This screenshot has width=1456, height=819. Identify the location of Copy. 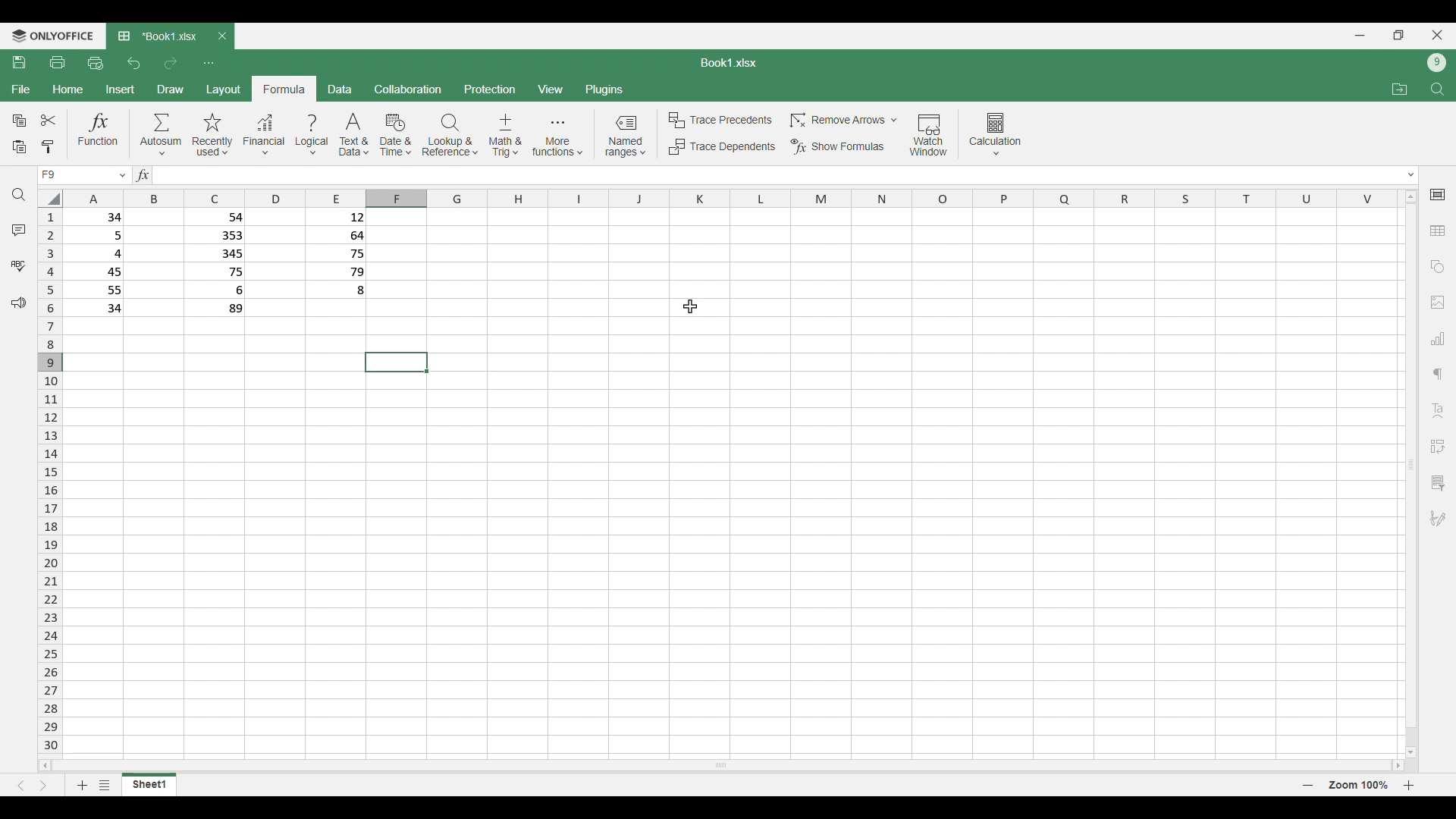
(18, 121).